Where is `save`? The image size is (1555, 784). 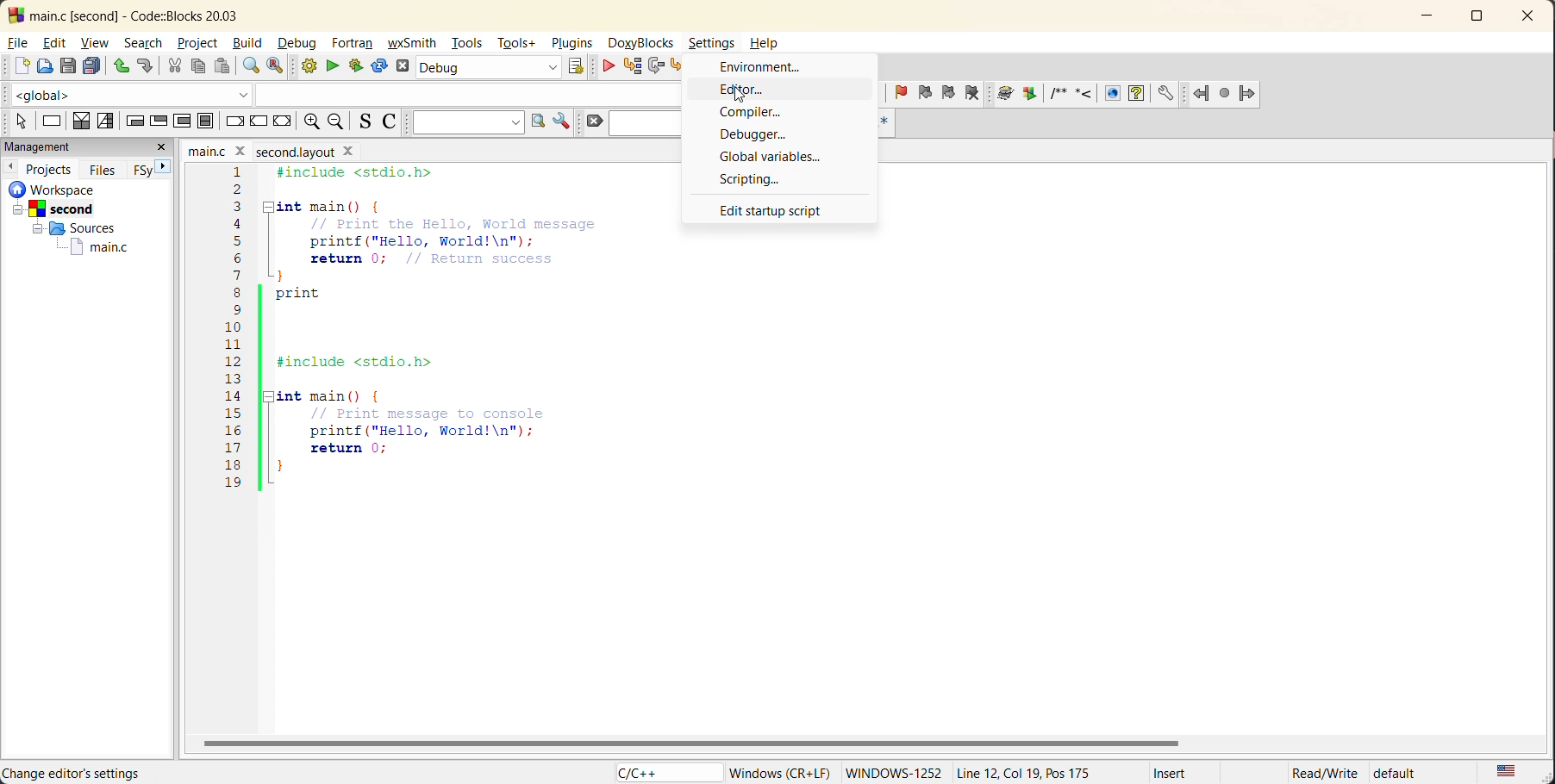
save is located at coordinates (66, 65).